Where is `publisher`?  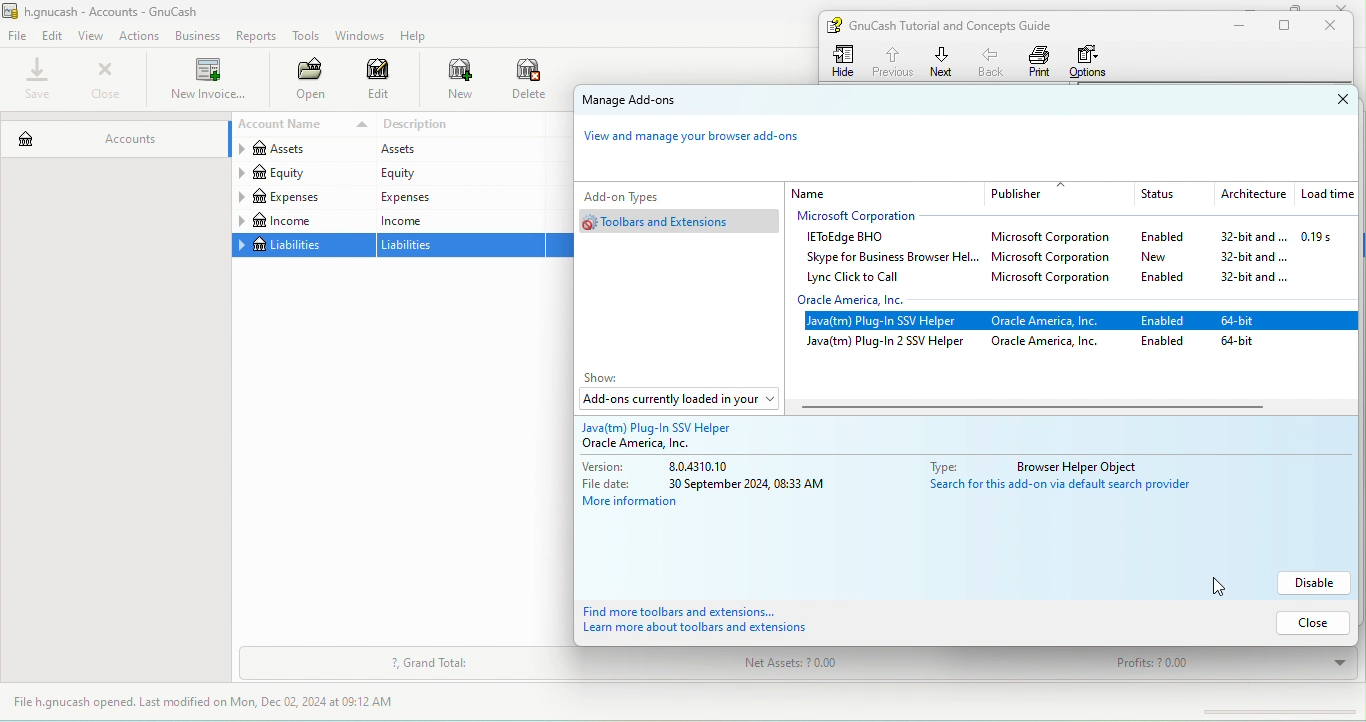
publisher is located at coordinates (1059, 194).